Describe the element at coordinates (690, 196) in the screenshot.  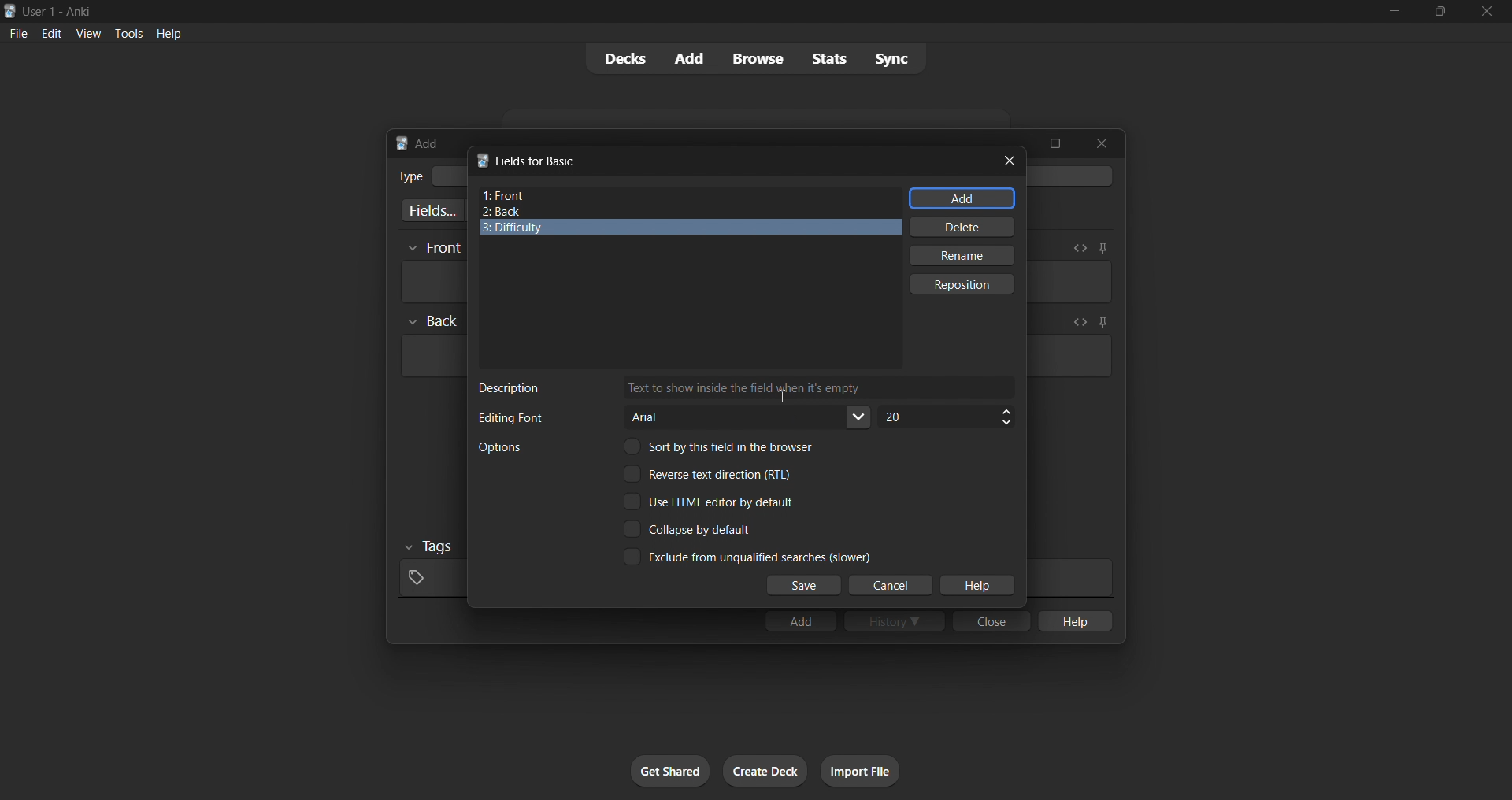
I see `front field` at that location.